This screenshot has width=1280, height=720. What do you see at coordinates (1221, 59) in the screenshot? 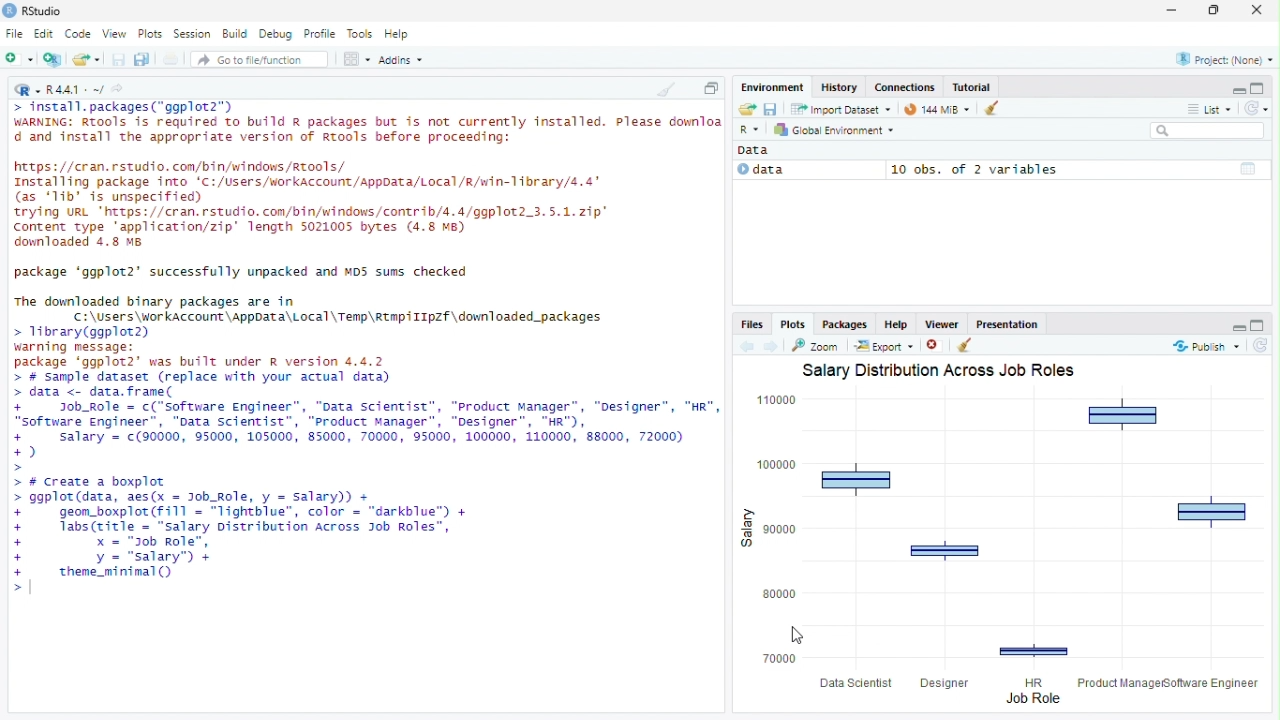
I see `project selector` at bounding box center [1221, 59].